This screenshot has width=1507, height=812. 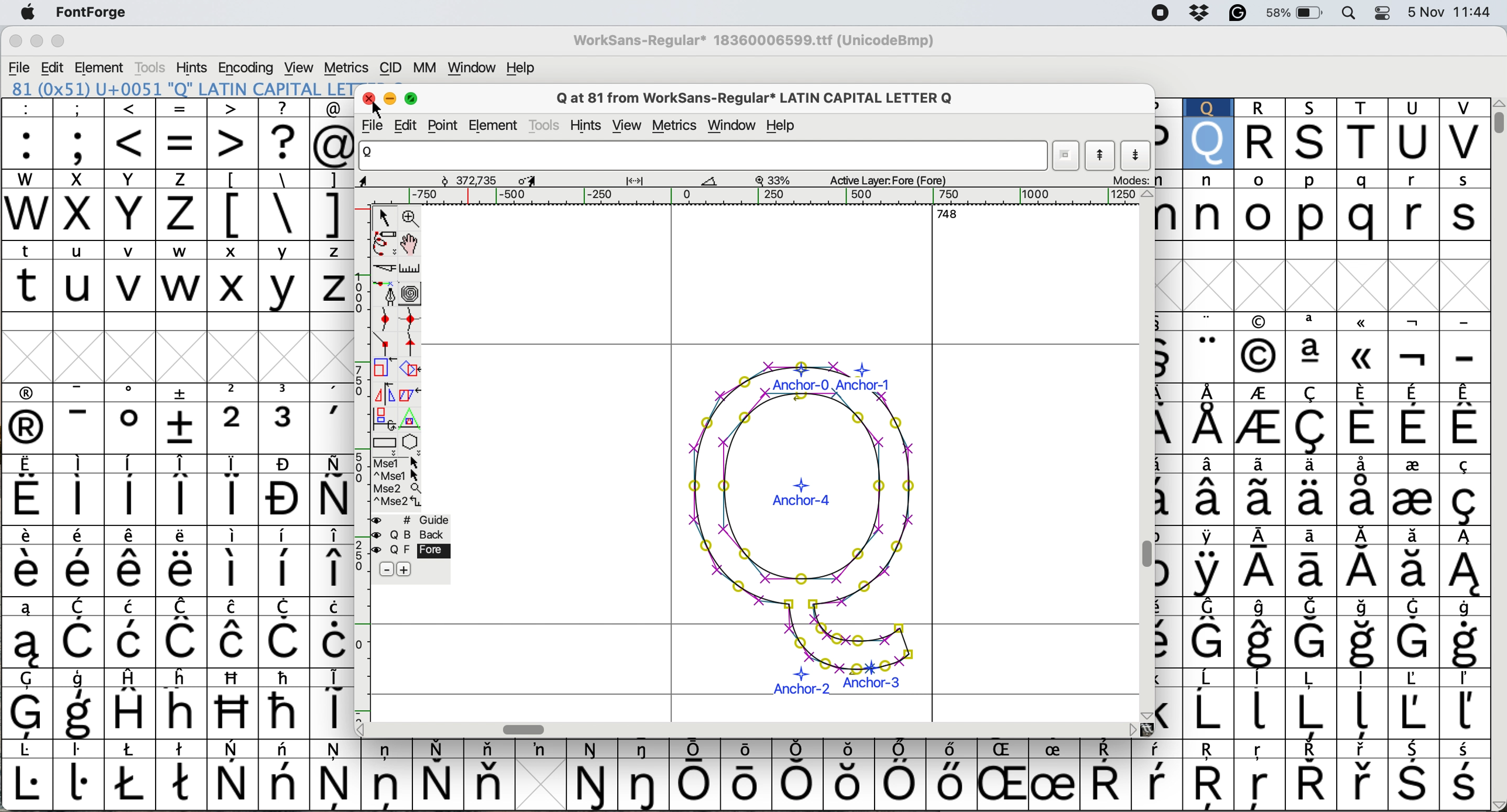 I want to click on close, so click(x=369, y=98).